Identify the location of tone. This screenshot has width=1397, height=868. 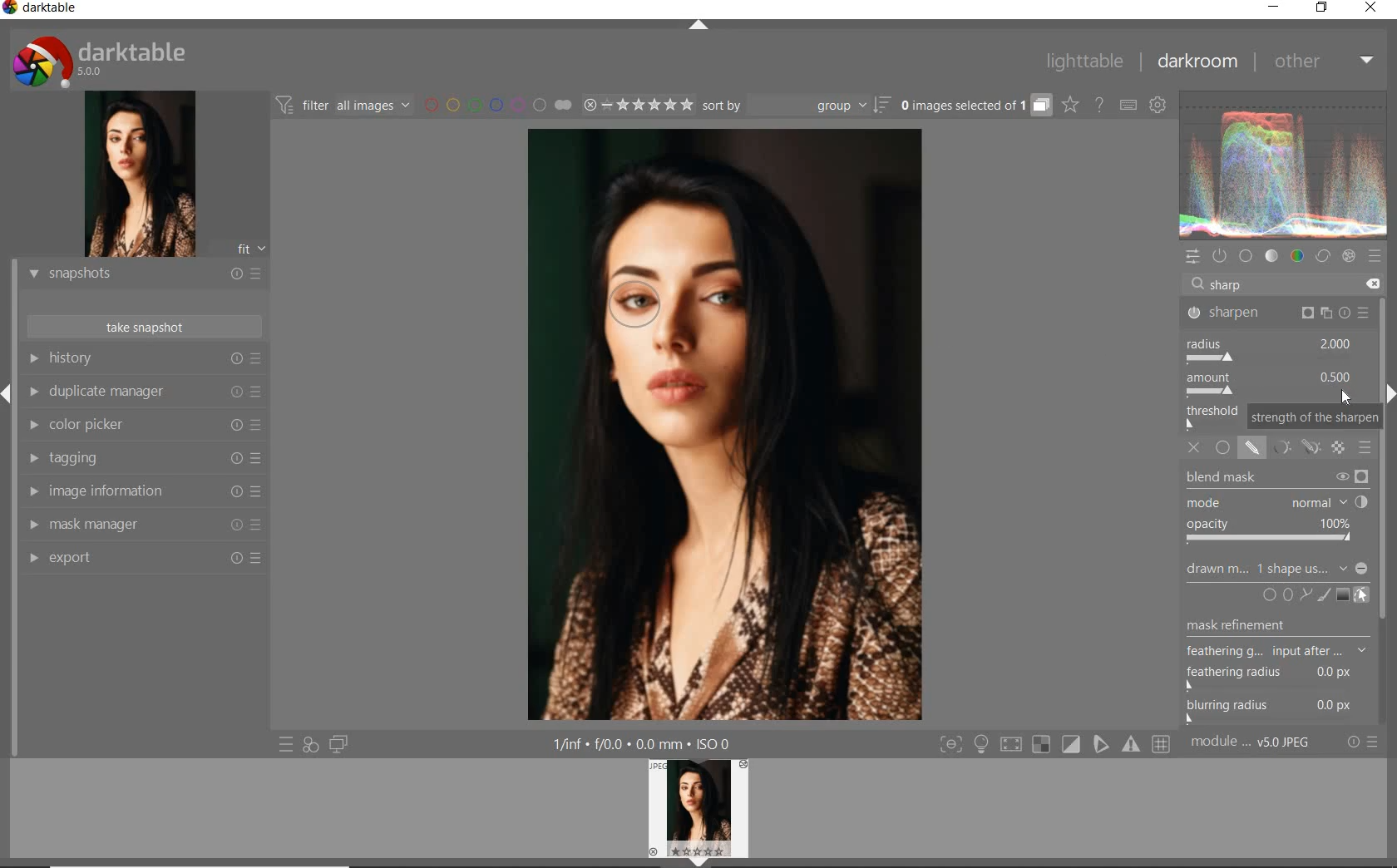
(1271, 256).